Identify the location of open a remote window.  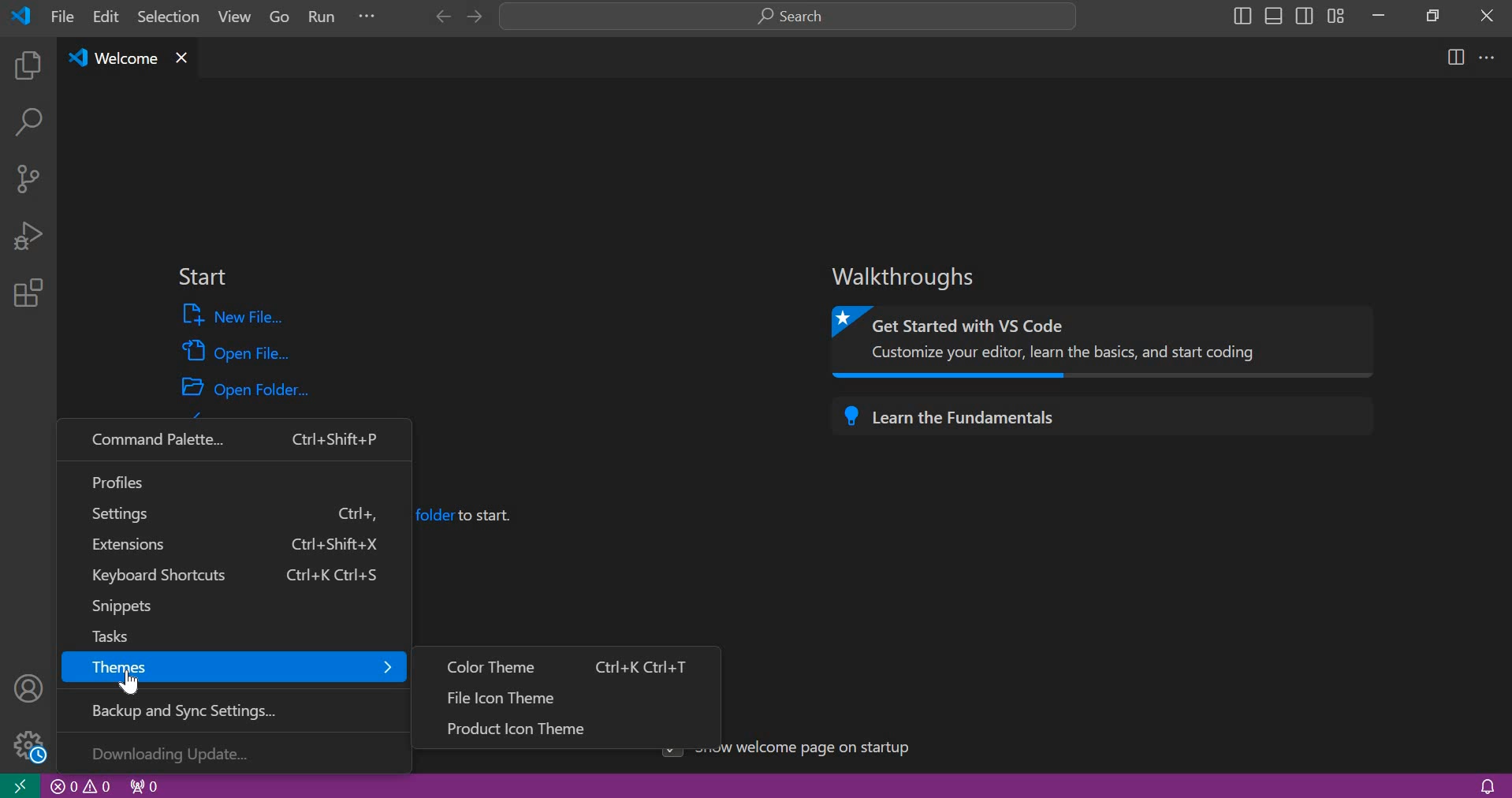
(19, 785).